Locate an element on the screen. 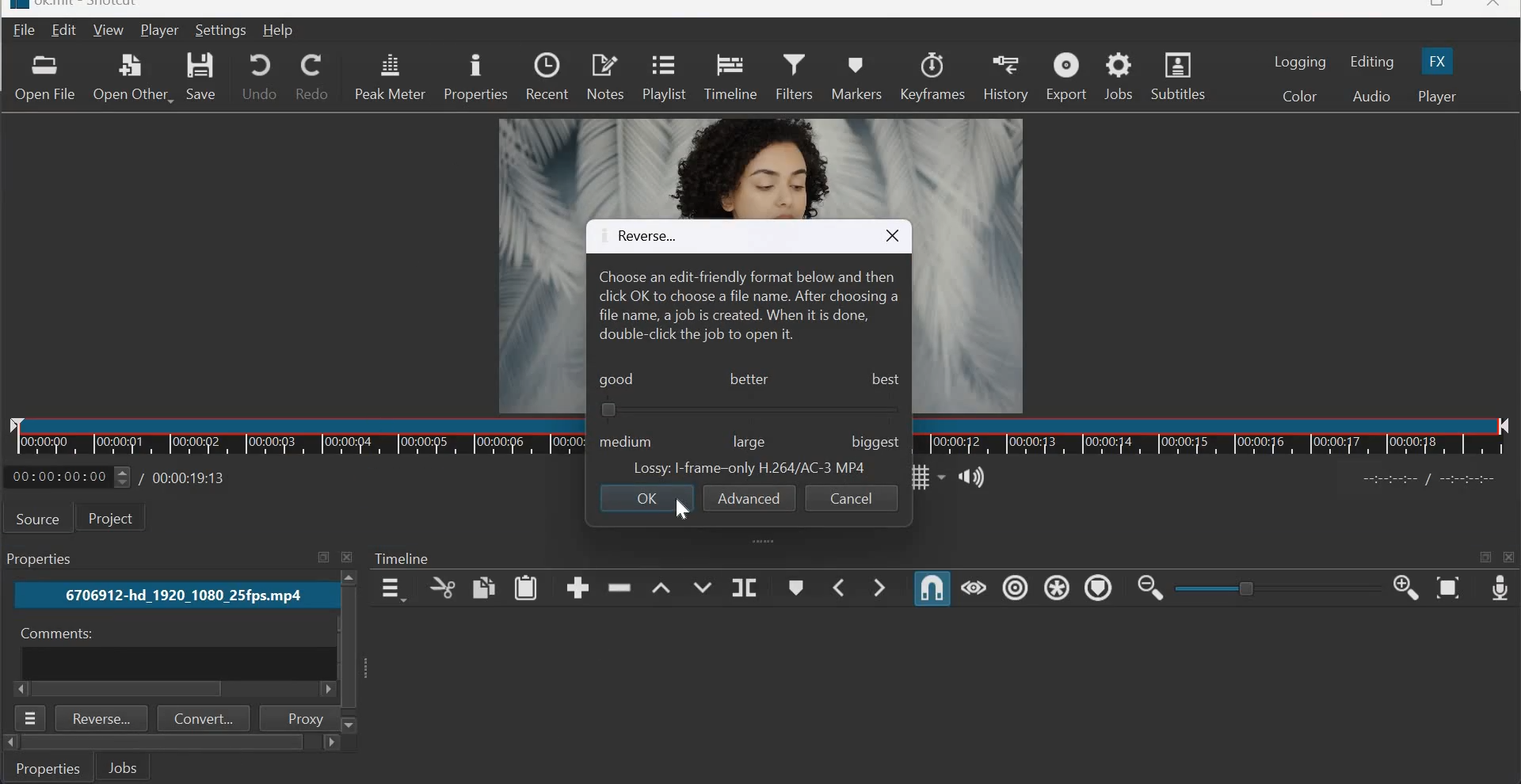 Image resolution: width=1521 pixels, height=784 pixels. Scrub while dragging is located at coordinates (974, 588).